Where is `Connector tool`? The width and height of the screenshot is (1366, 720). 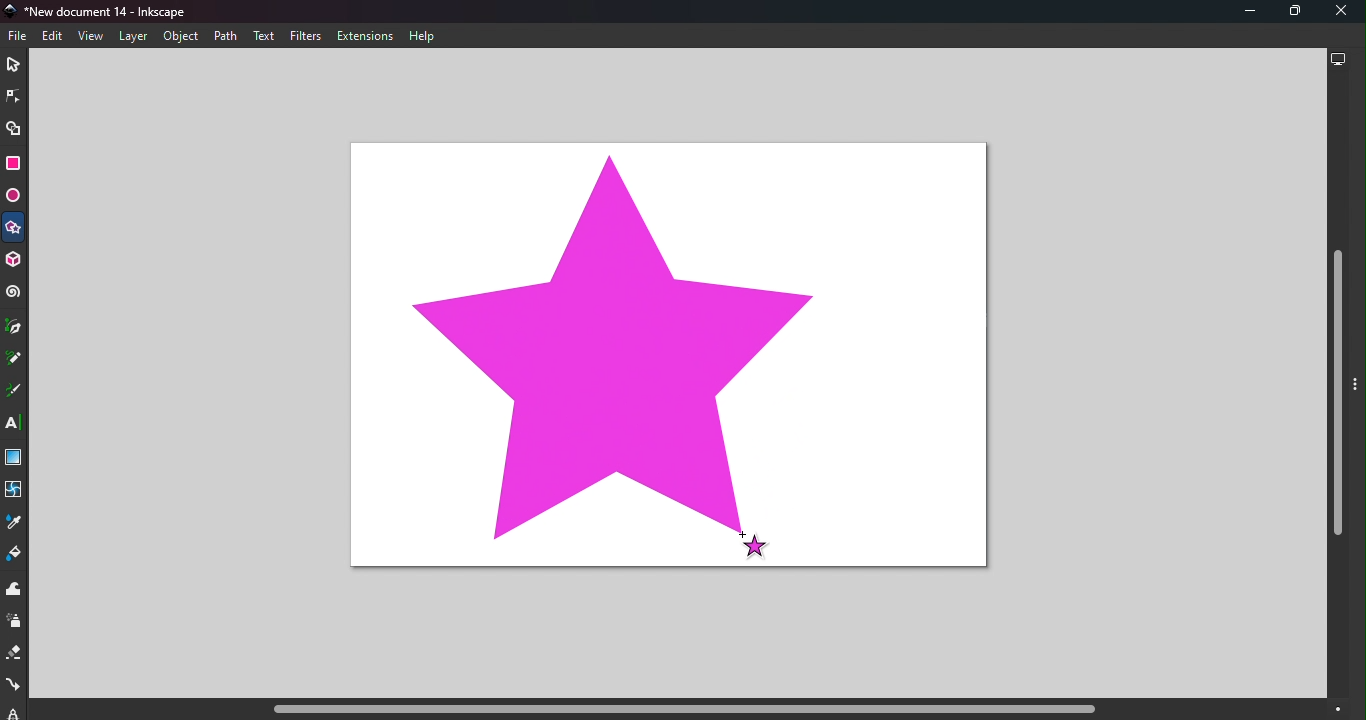
Connector tool is located at coordinates (13, 687).